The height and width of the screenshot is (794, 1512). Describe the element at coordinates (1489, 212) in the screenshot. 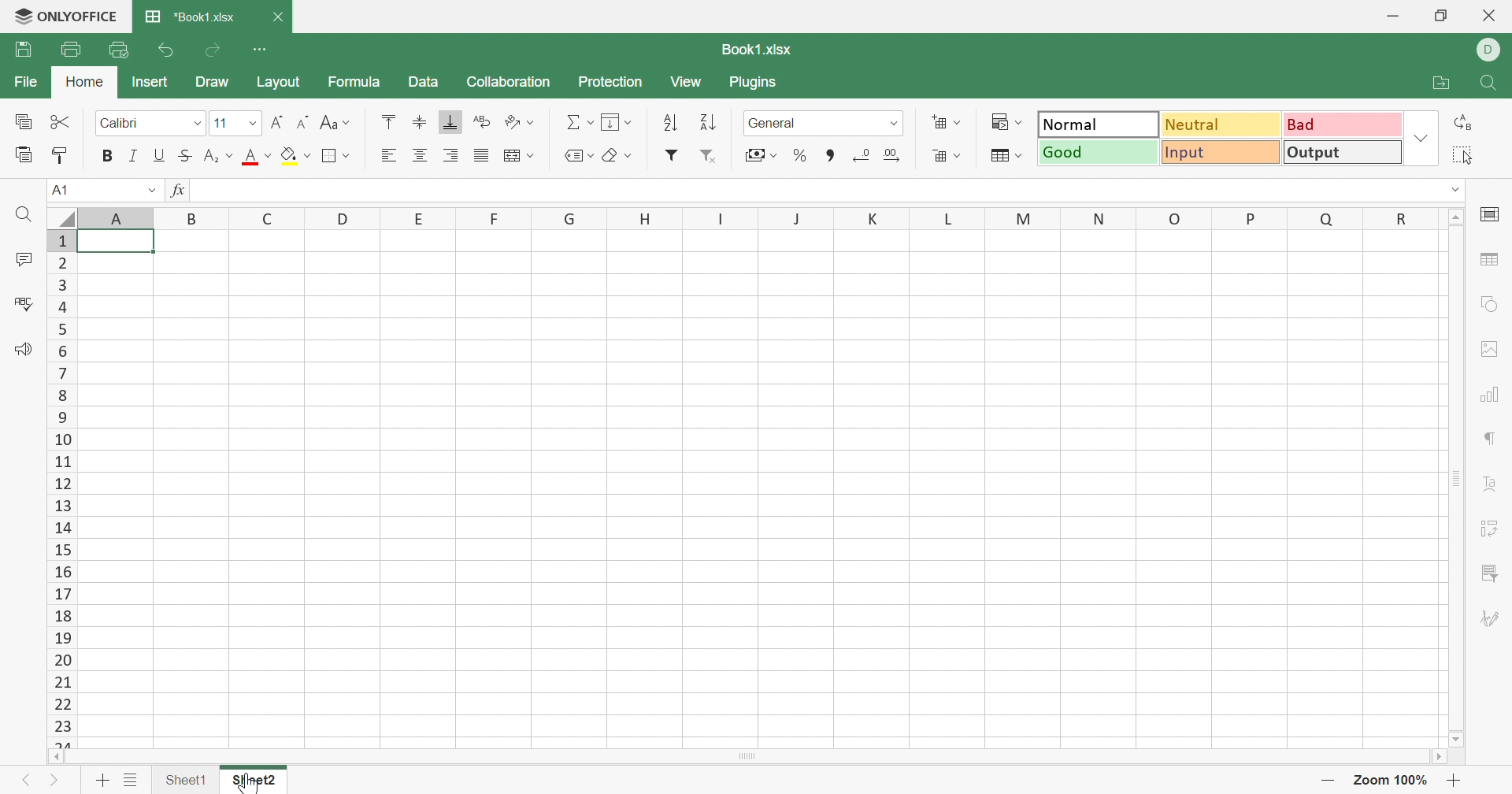

I see `Slide settings` at that location.